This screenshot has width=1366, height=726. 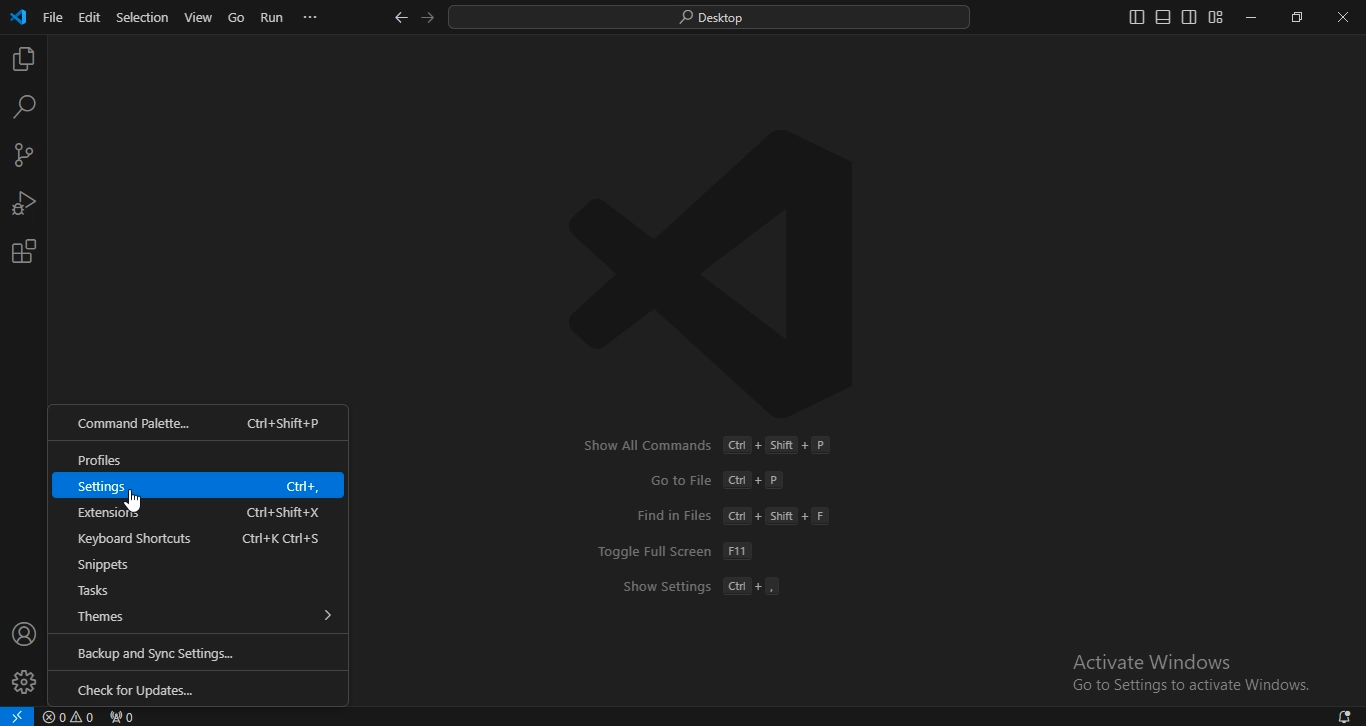 I want to click on 1 new notification, so click(x=1337, y=714).